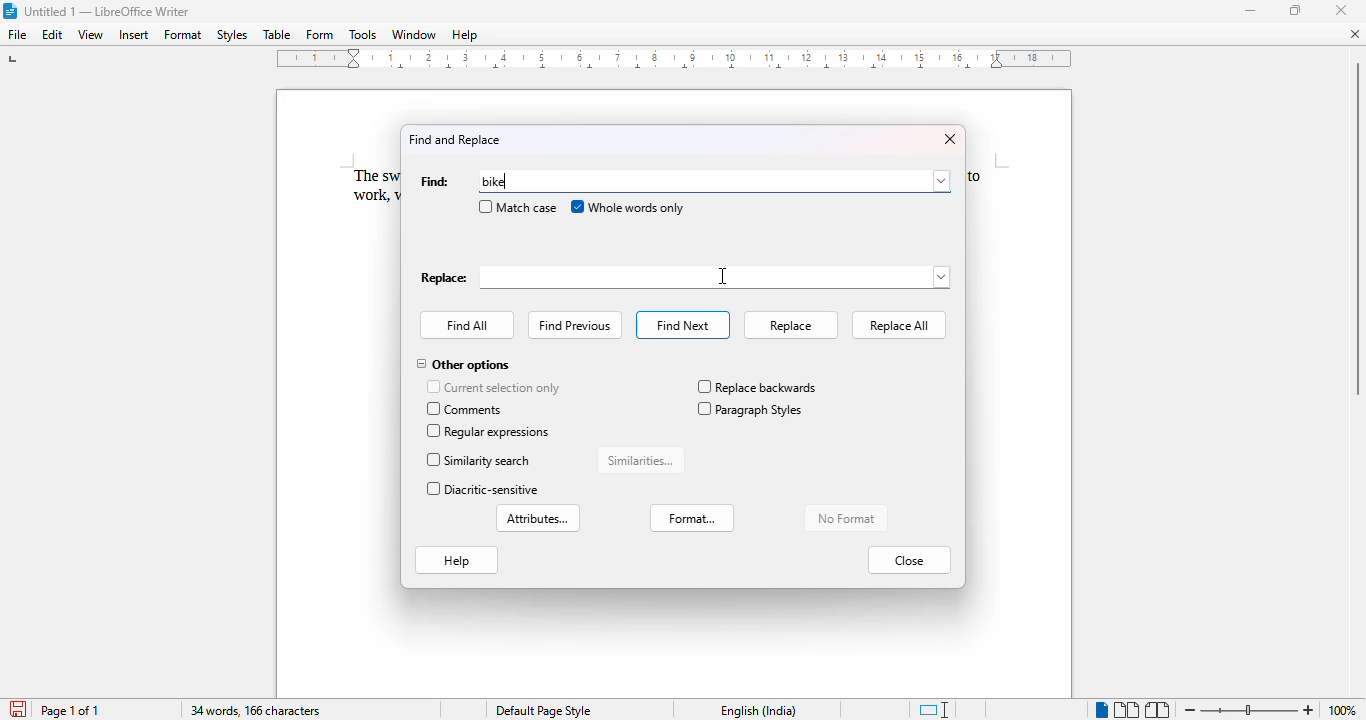  Describe the element at coordinates (493, 181) in the screenshot. I see `typing` at that location.